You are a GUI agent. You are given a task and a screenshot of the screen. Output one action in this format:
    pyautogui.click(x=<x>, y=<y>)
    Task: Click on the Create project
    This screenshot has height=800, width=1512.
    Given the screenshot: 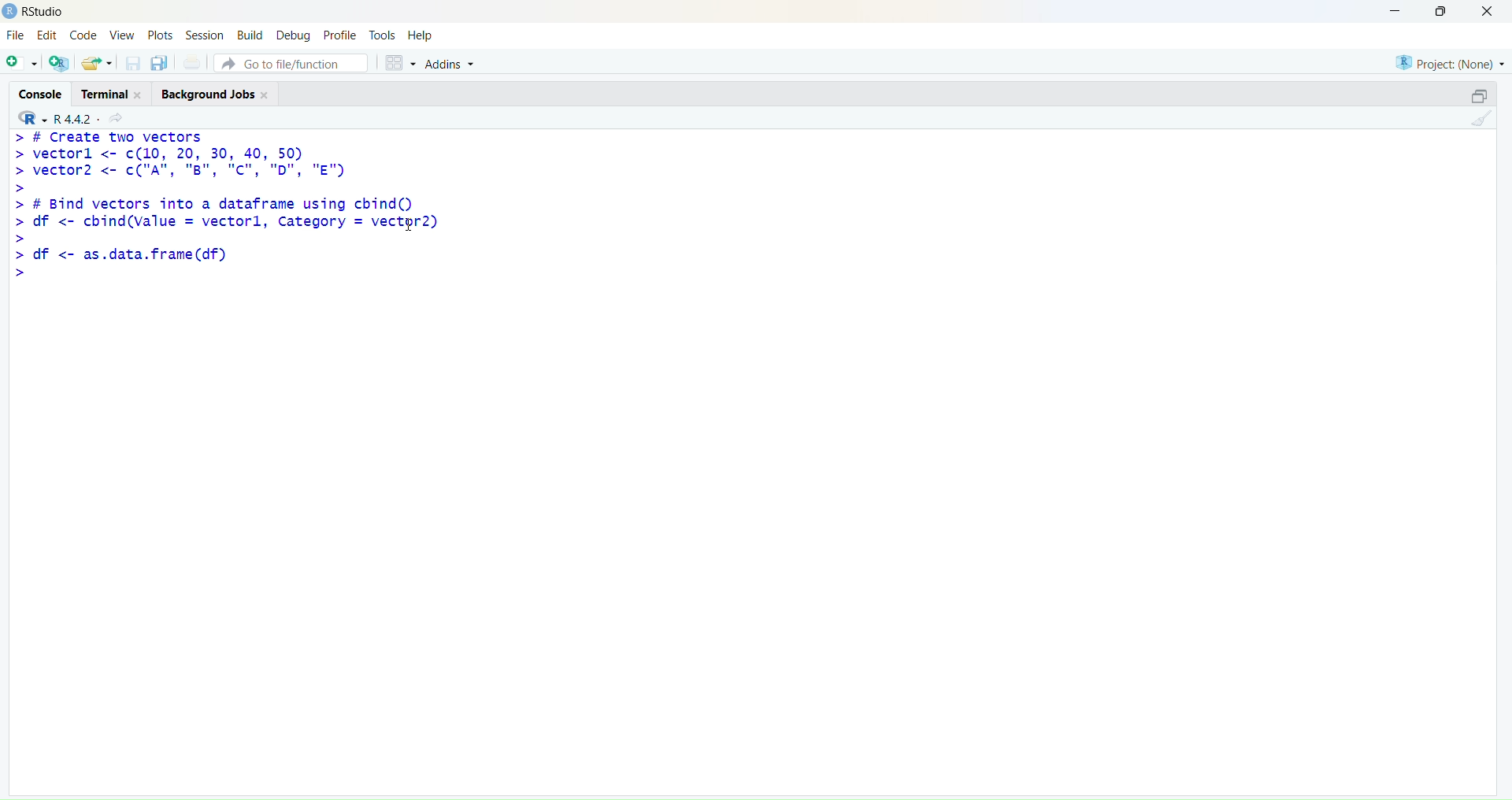 What is the action you would take?
    pyautogui.click(x=60, y=63)
    